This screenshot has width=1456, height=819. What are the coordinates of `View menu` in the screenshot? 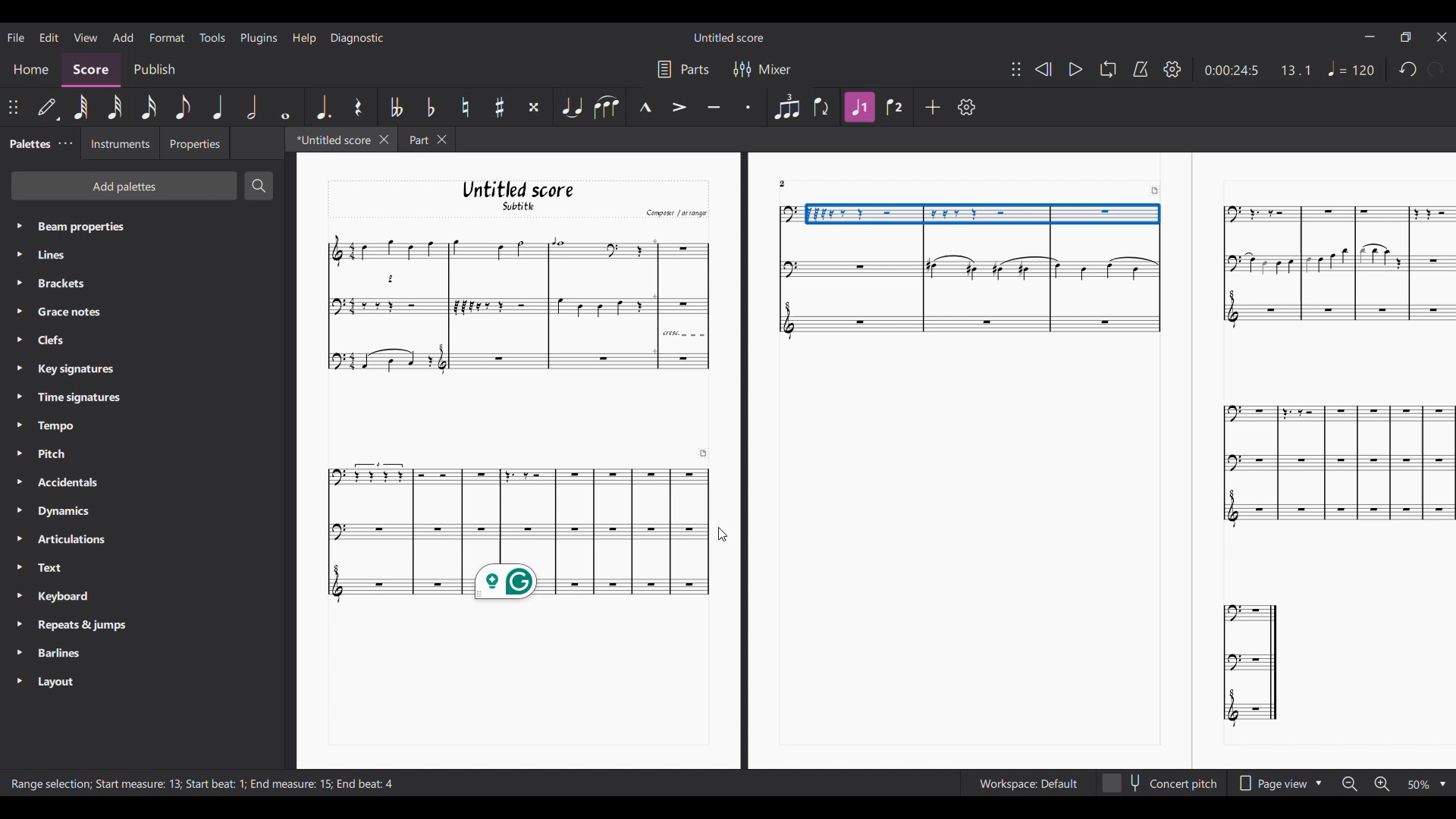 It's located at (86, 36).